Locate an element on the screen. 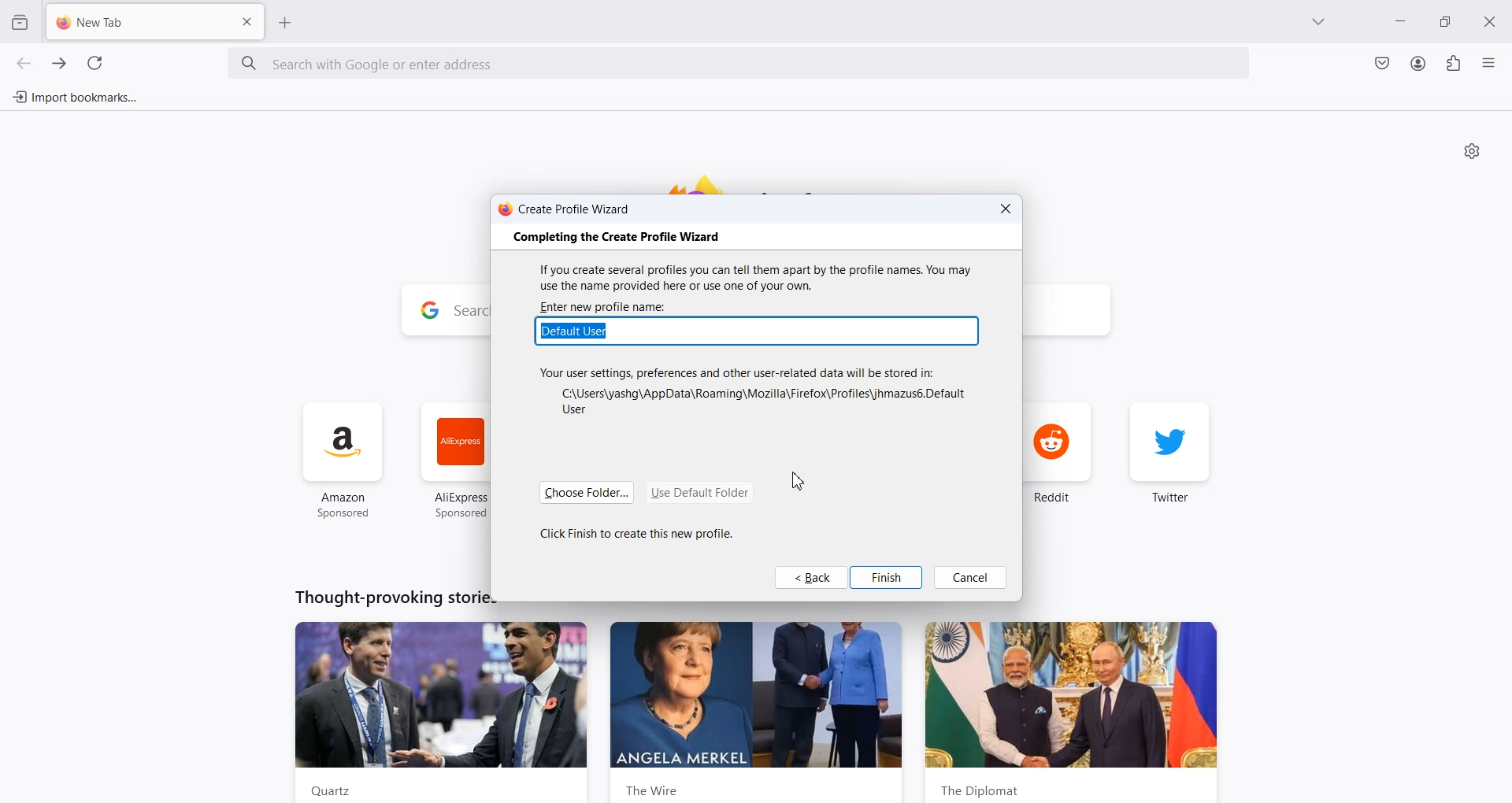 This screenshot has height=803, width=1512. the diplomat is located at coordinates (1071, 712).